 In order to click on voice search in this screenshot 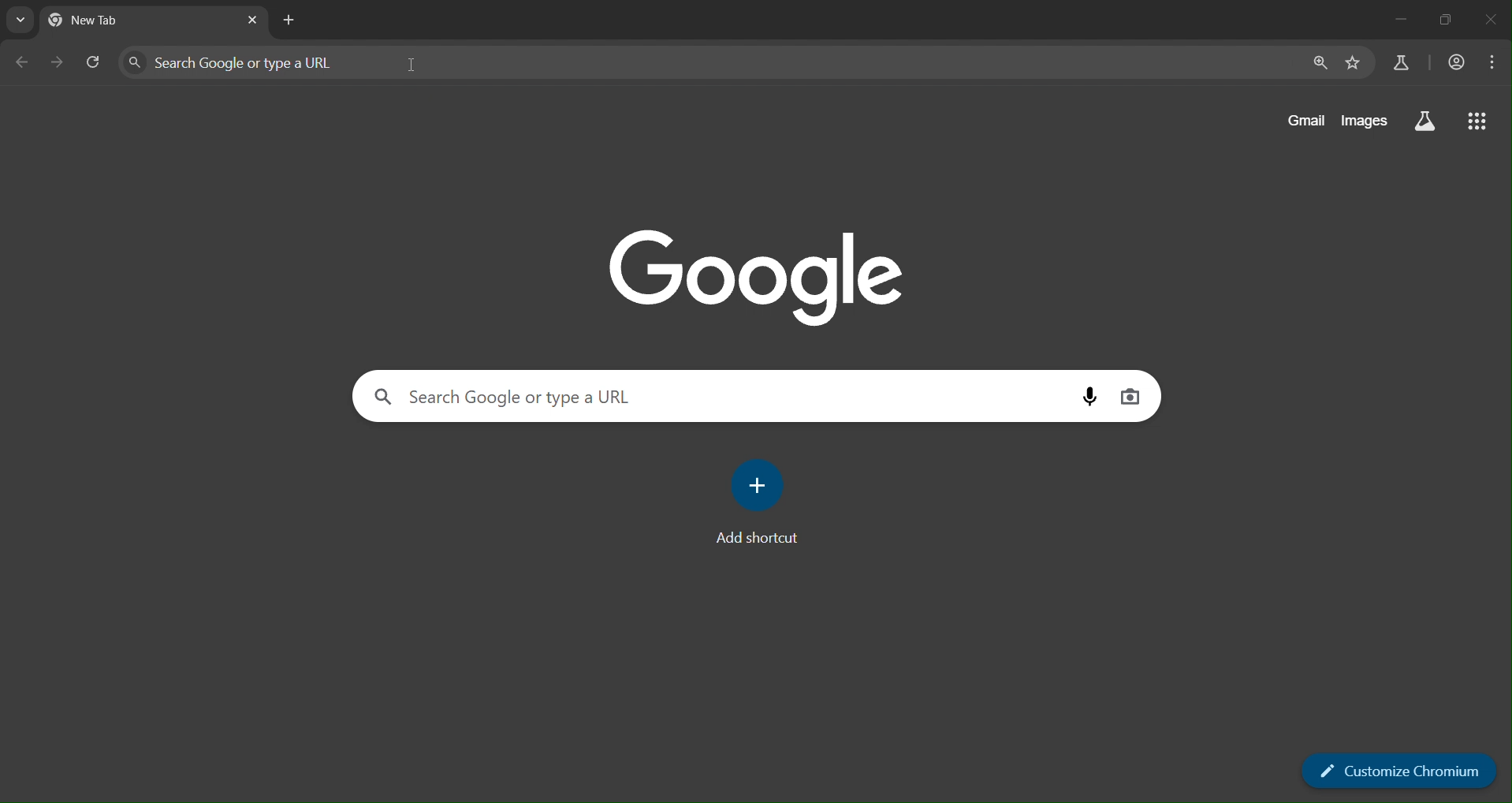, I will do `click(1089, 398)`.